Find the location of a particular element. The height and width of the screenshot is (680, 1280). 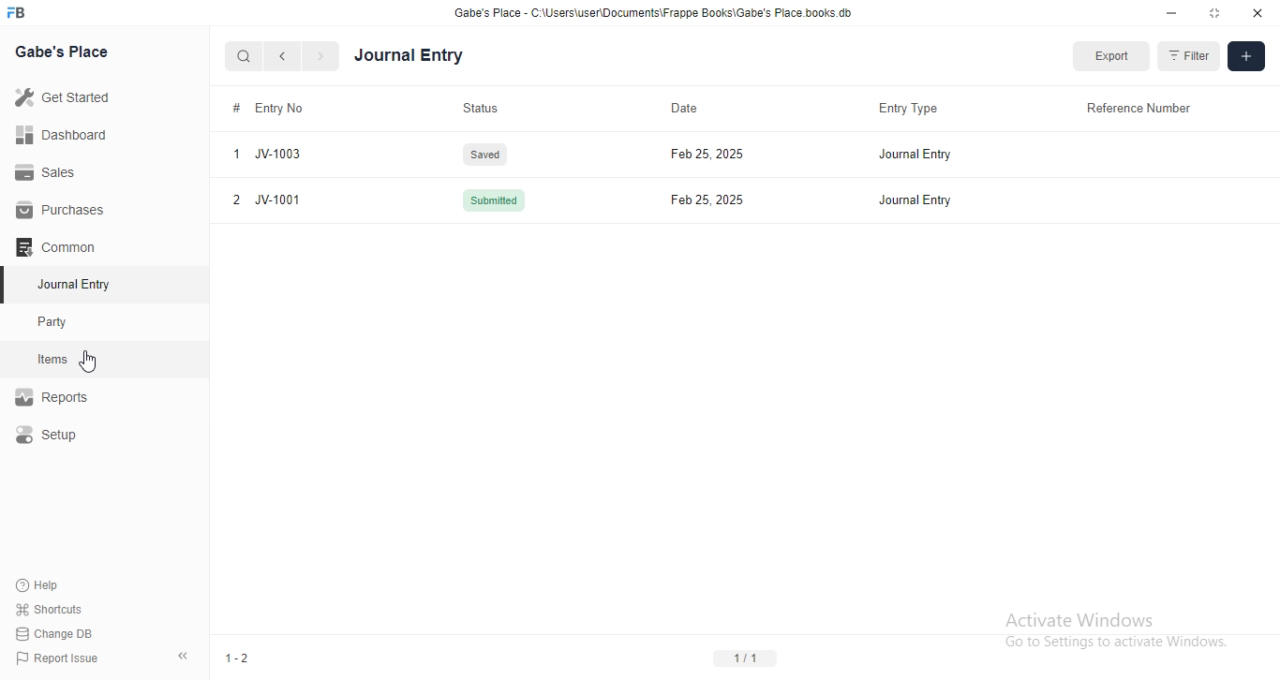

Filter is located at coordinates (1189, 54).